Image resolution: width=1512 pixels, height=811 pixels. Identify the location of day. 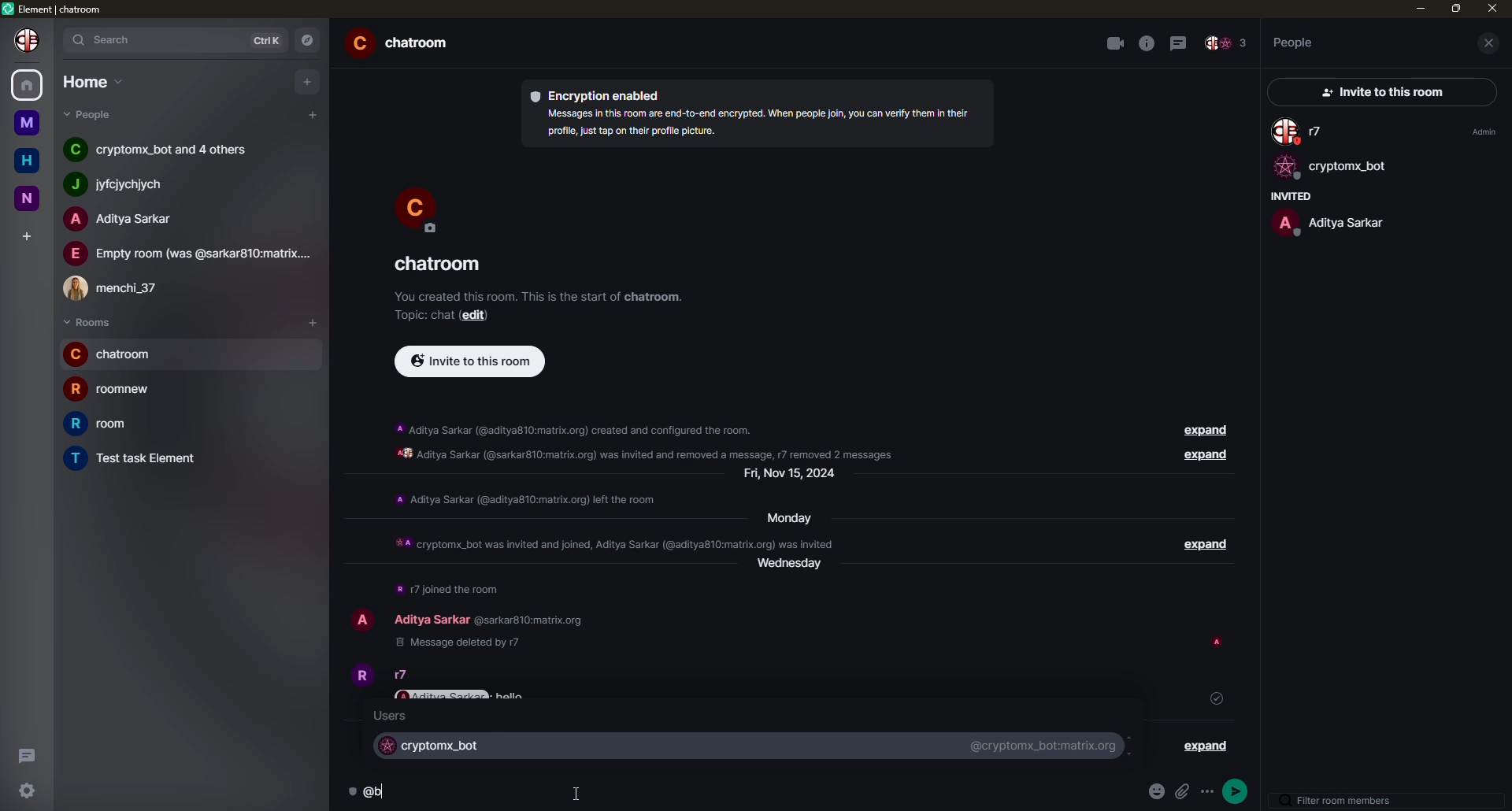
(795, 475).